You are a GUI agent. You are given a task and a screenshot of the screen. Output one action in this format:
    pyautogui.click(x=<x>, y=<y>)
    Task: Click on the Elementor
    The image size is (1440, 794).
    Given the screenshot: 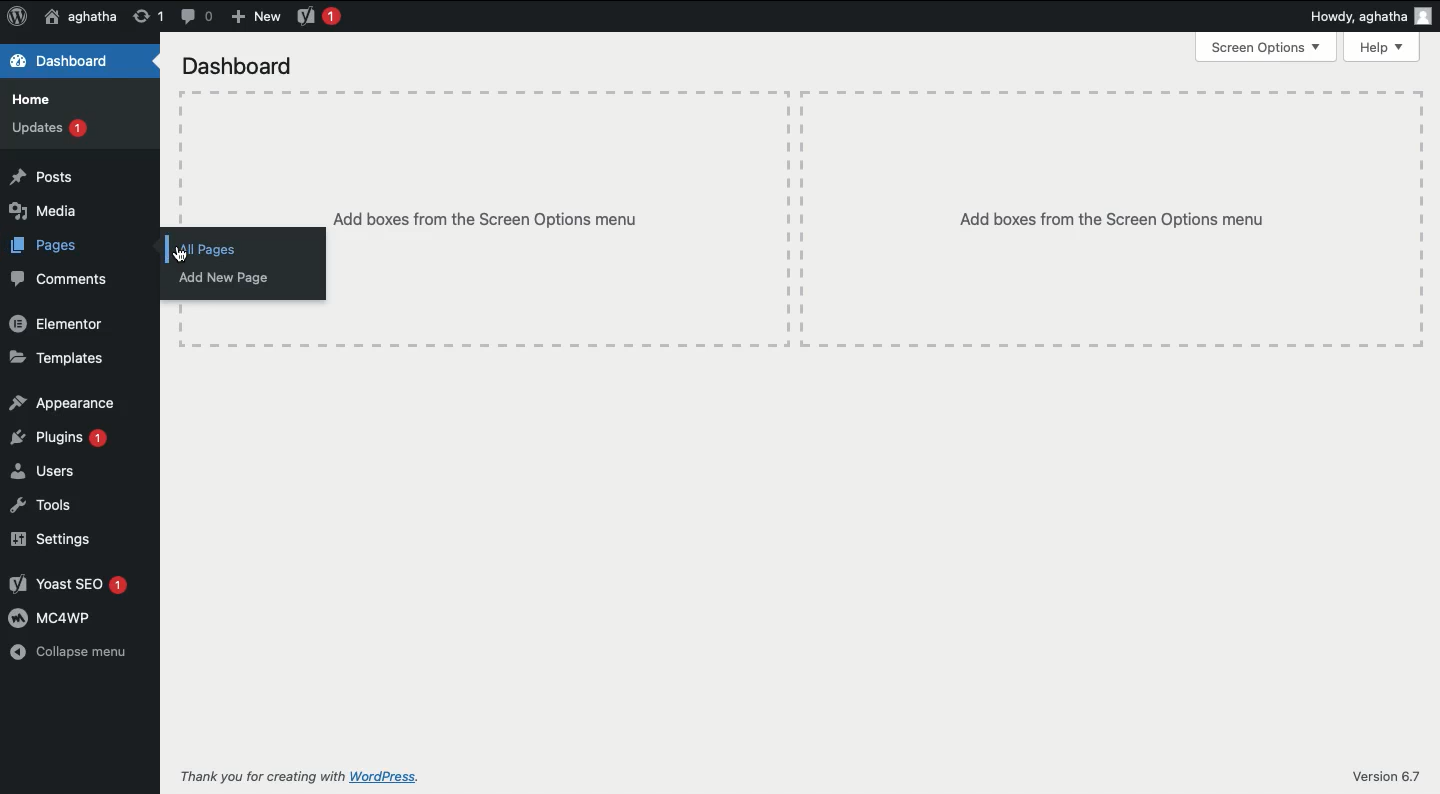 What is the action you would take?
    pyautogui.click(x=58, y=326)
    